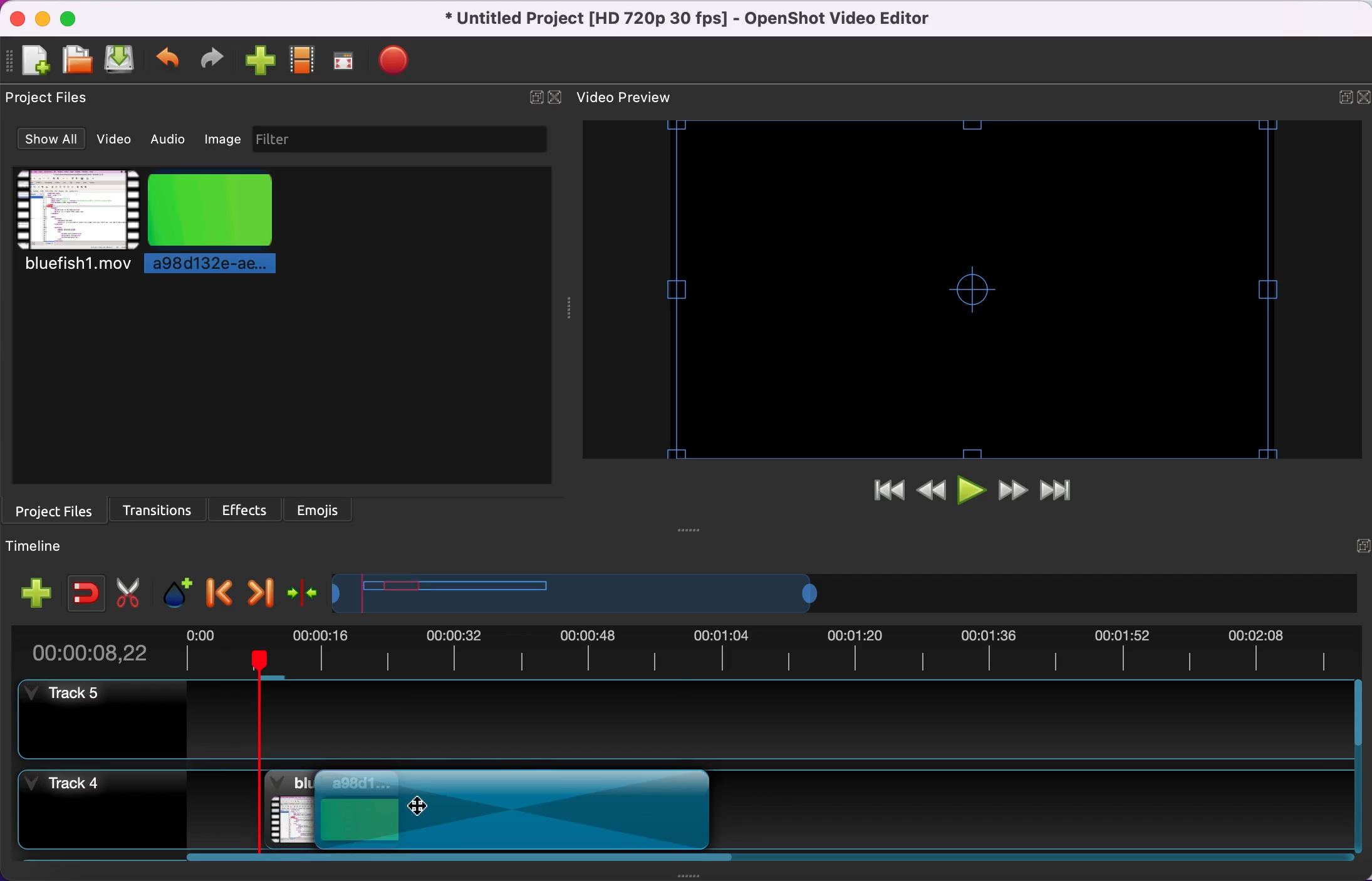  I want to click on fullscreen, so click(346, 61).